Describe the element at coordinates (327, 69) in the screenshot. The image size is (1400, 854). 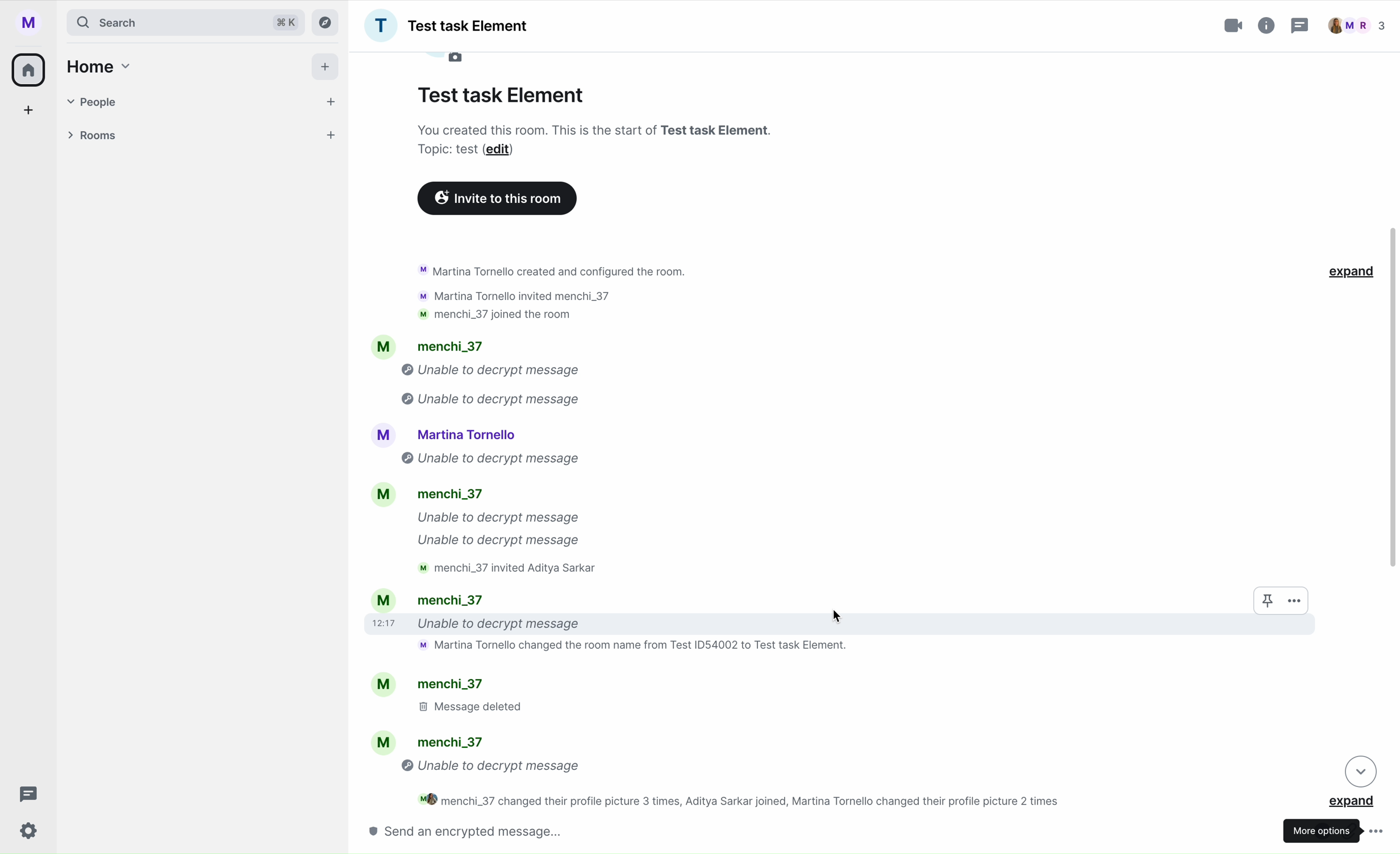
I see `add` at that location.